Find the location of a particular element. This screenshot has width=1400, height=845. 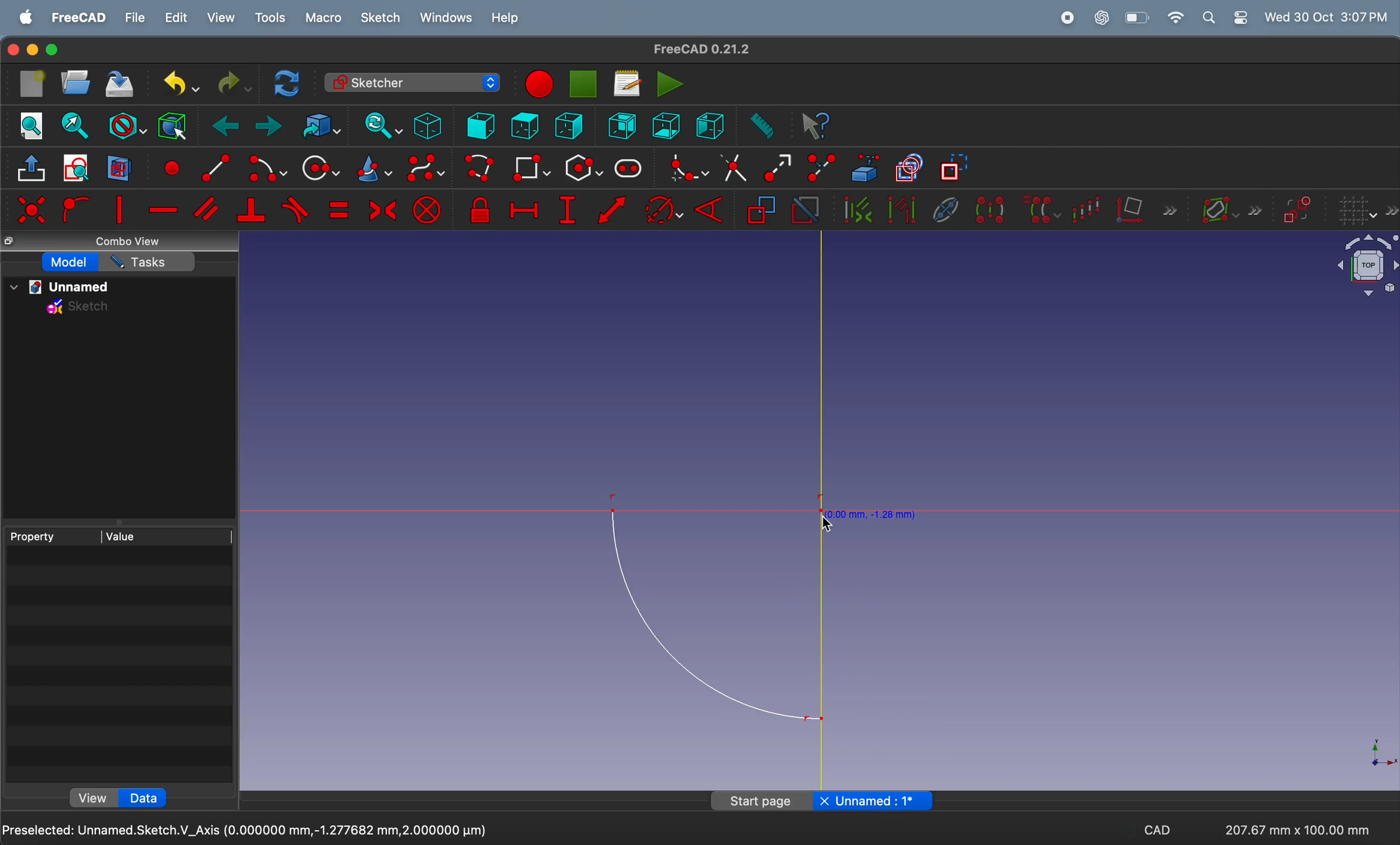

combo view is located at coordinates (132, 242).